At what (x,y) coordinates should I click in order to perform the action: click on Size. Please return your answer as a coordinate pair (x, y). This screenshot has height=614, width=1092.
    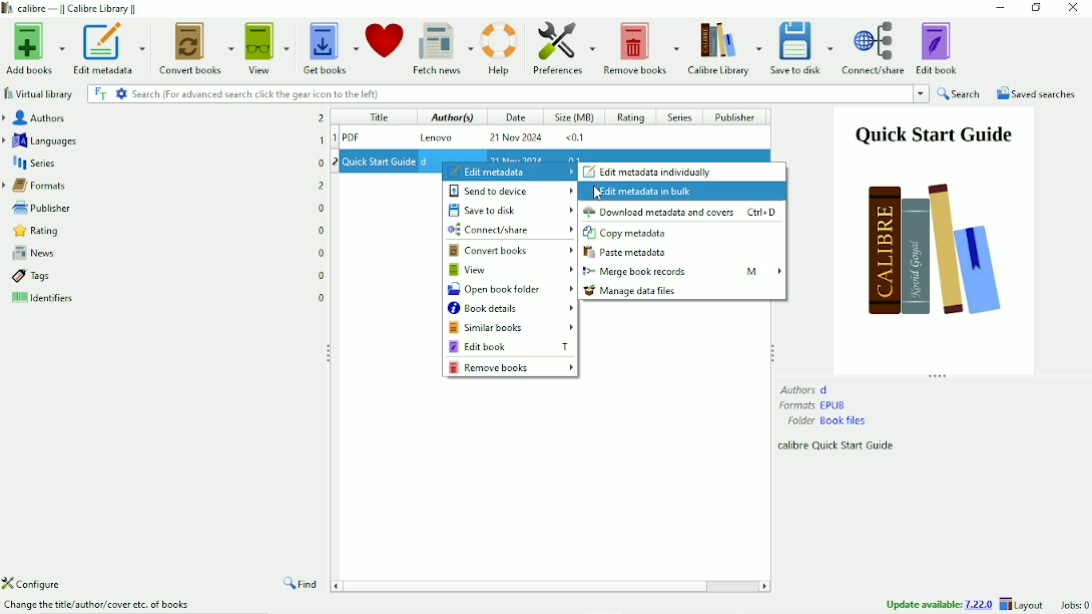
    Looking at the image, I should click on (575, 119).